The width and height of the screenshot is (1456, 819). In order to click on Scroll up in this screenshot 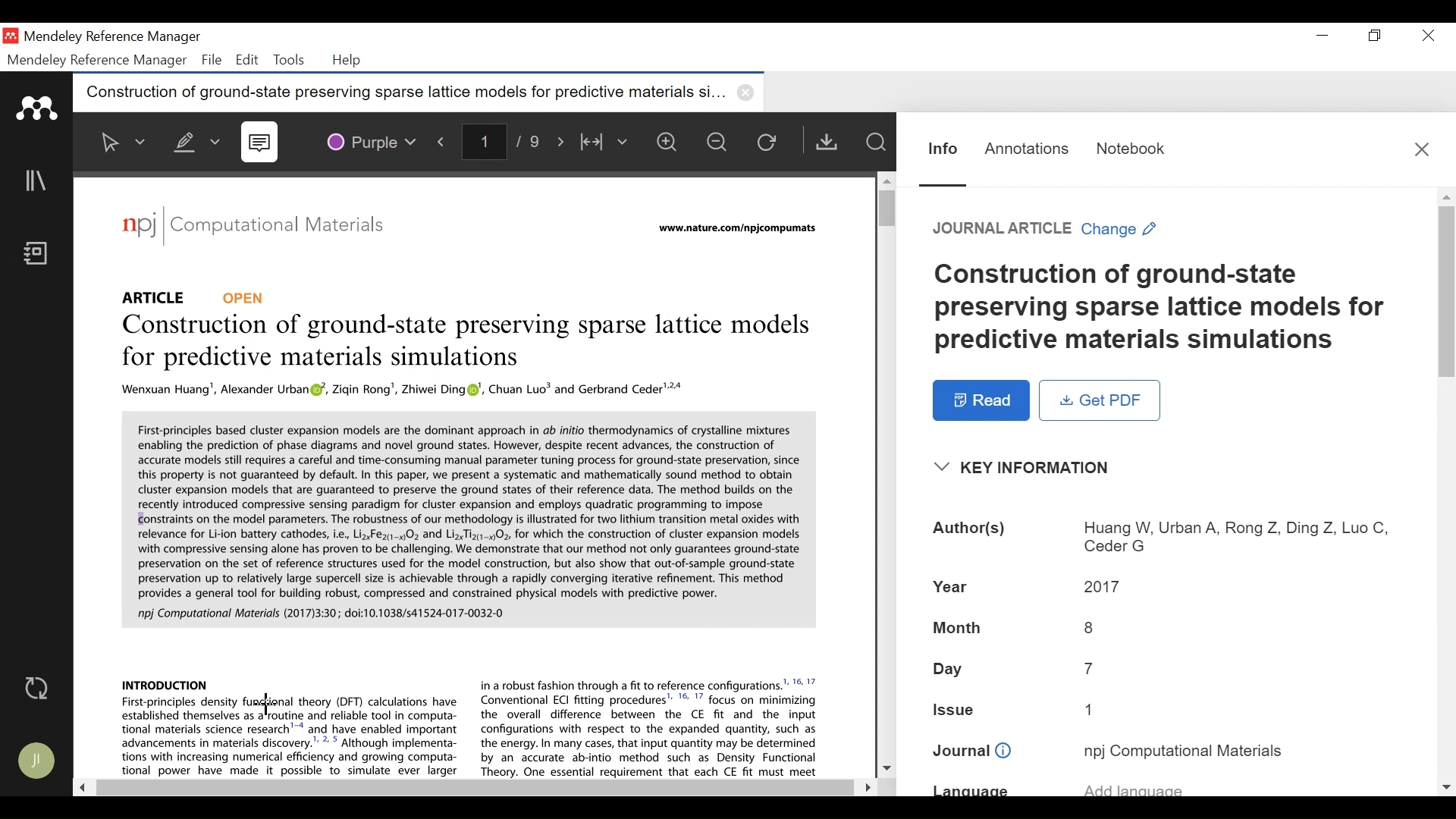, I will do `click(886, 178)`.